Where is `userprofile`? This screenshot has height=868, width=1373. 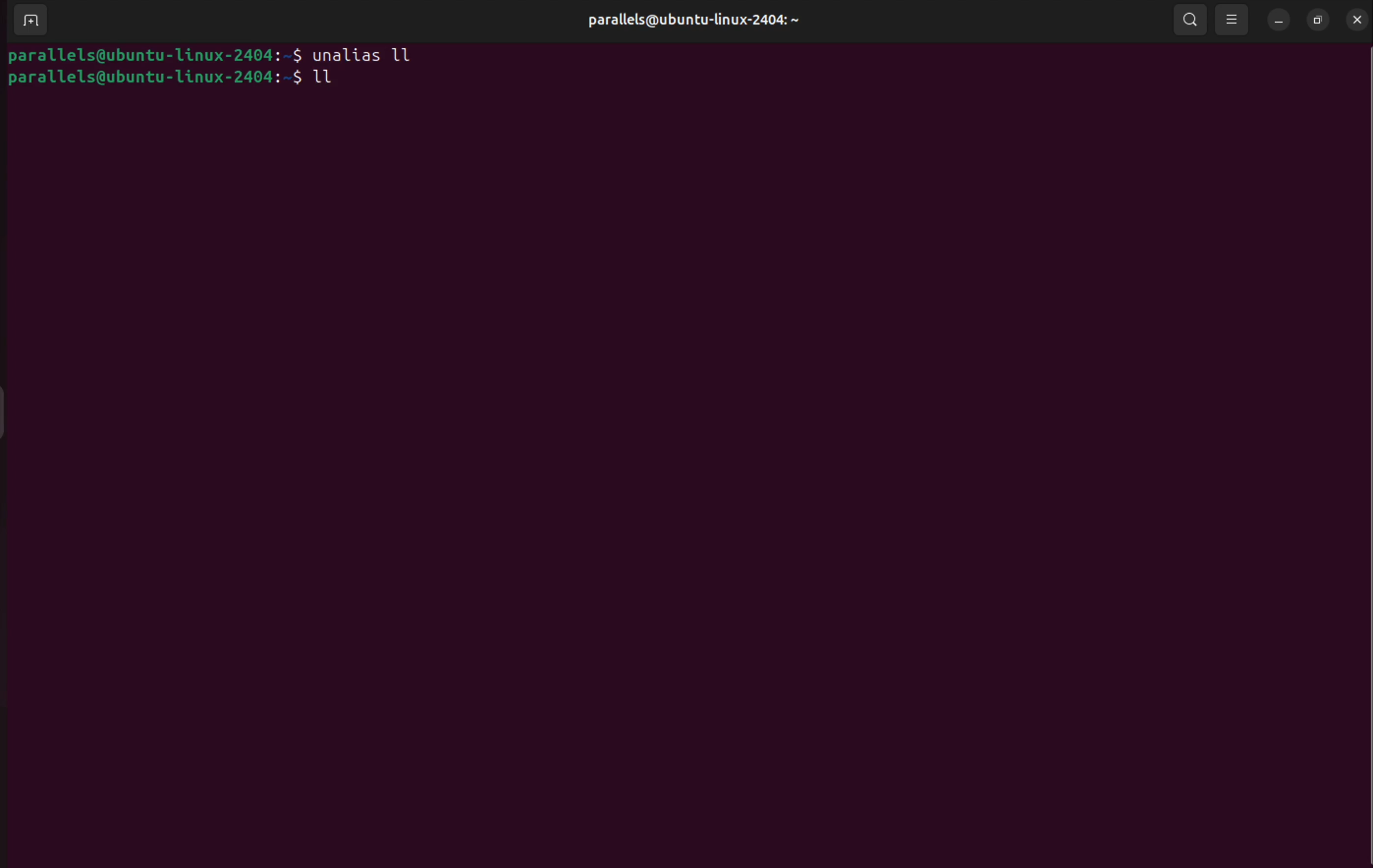
userprofile is located at coordinates (692, 22).